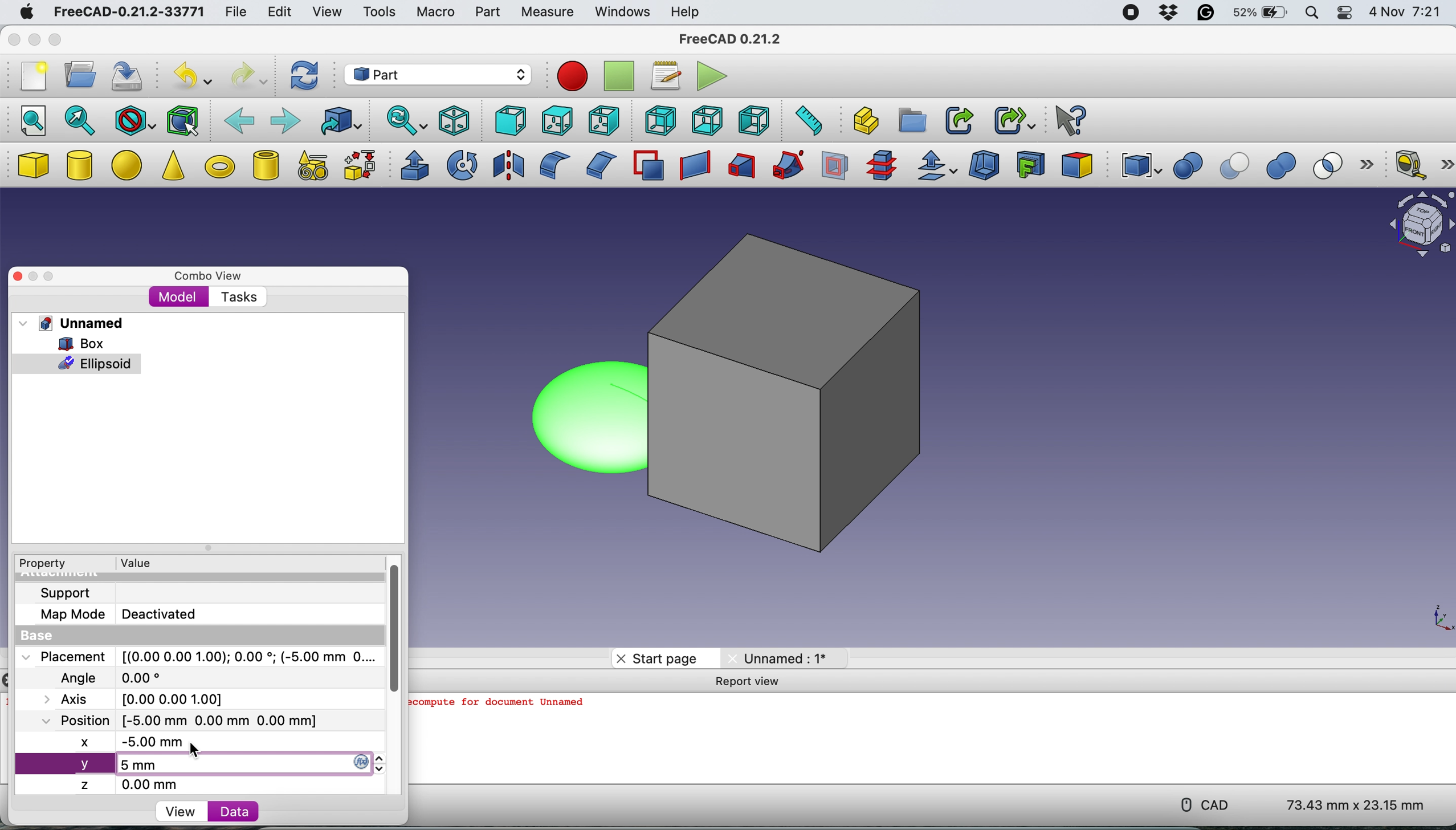 This screenshot has height=830, width=1456. Describe the element at coordinates (805, 120) in the screenshot. I see `measure distance` at that location.